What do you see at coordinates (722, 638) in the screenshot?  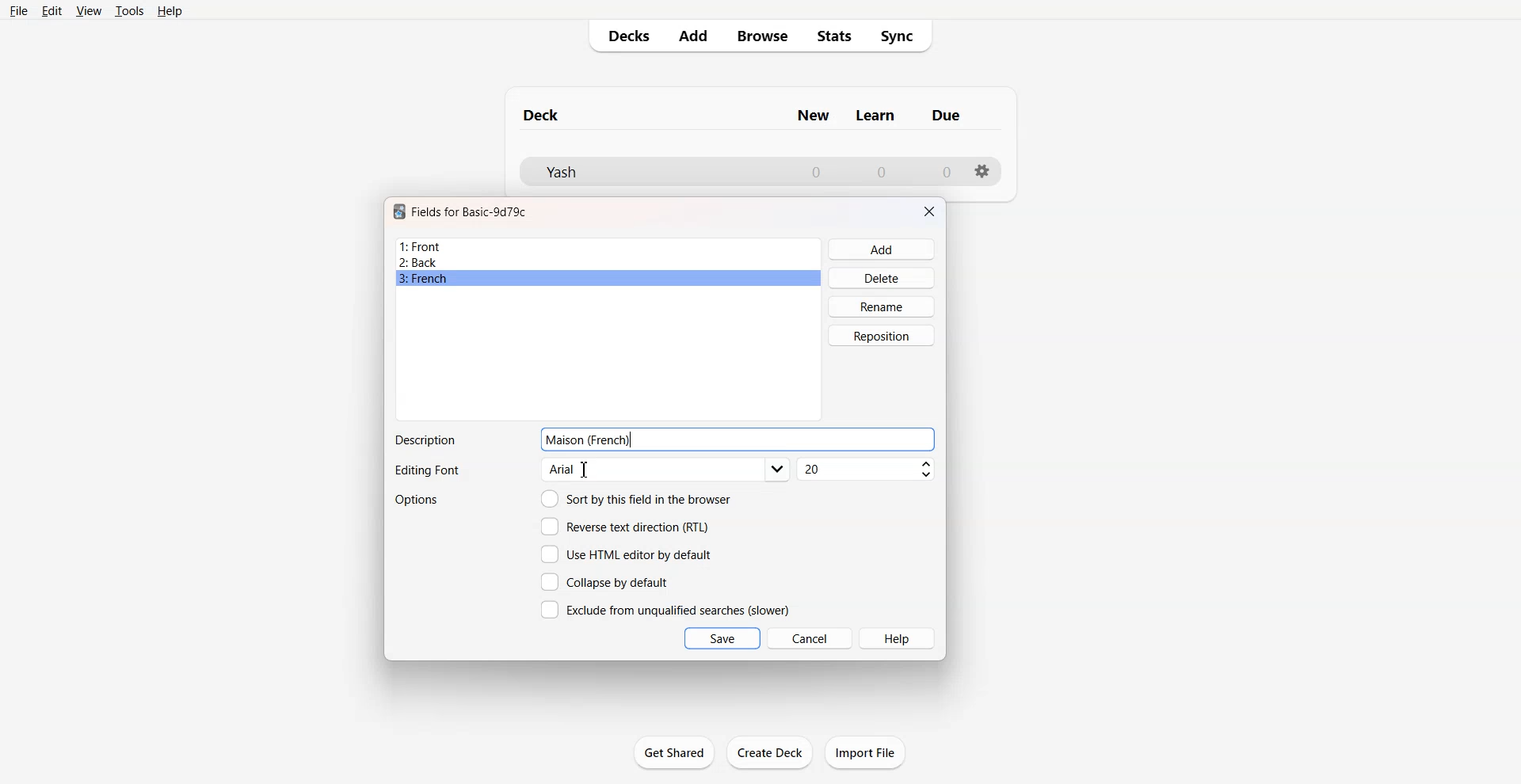 I see `Save` at bounding box center [722, 638].